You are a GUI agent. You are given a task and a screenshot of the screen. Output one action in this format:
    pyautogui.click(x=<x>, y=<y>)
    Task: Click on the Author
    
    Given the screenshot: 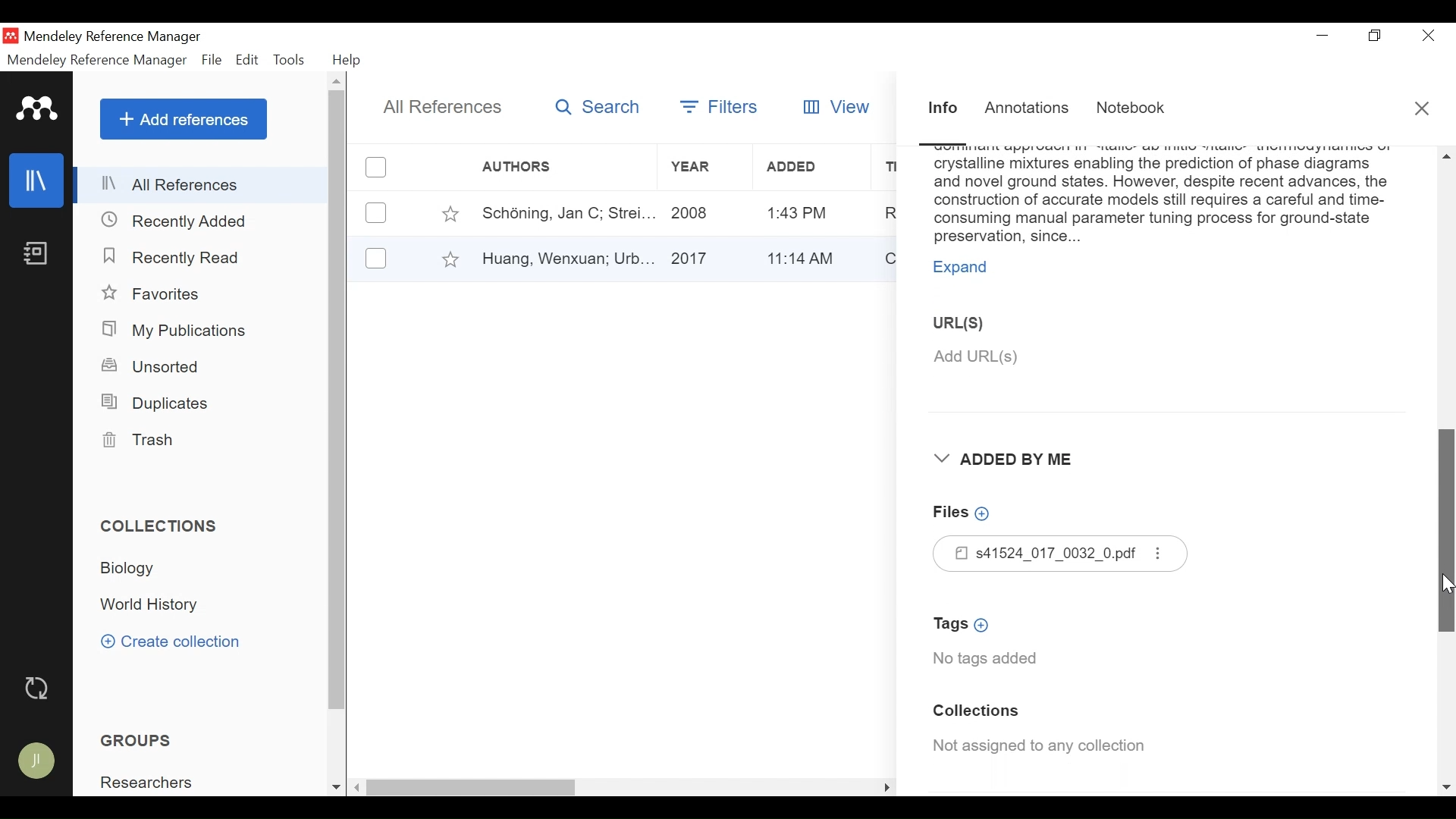 What is the action you would take?
    pyautogui.click(x=542, y=167)
    